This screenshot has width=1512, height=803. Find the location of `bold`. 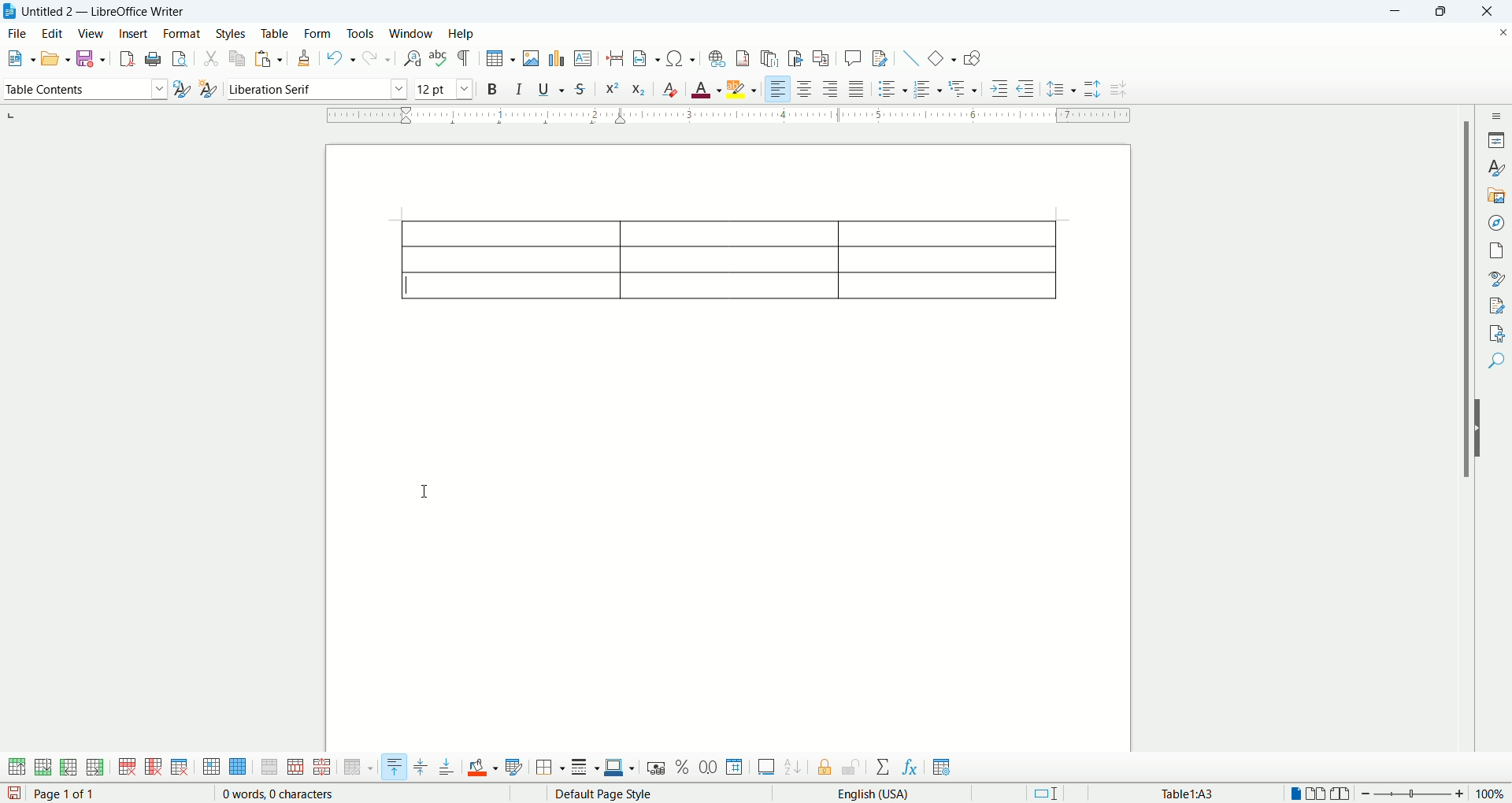

bold is located at coordinates (492, 88).